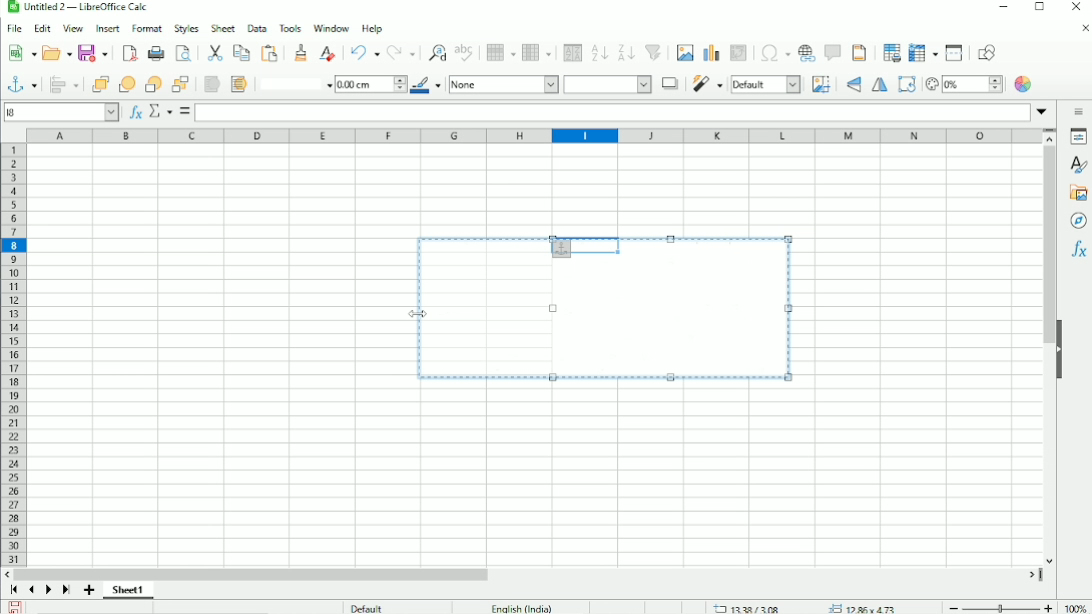  Describe the element at coordinates (181, 83) in the screenshot. I see `Send to back` at that location.